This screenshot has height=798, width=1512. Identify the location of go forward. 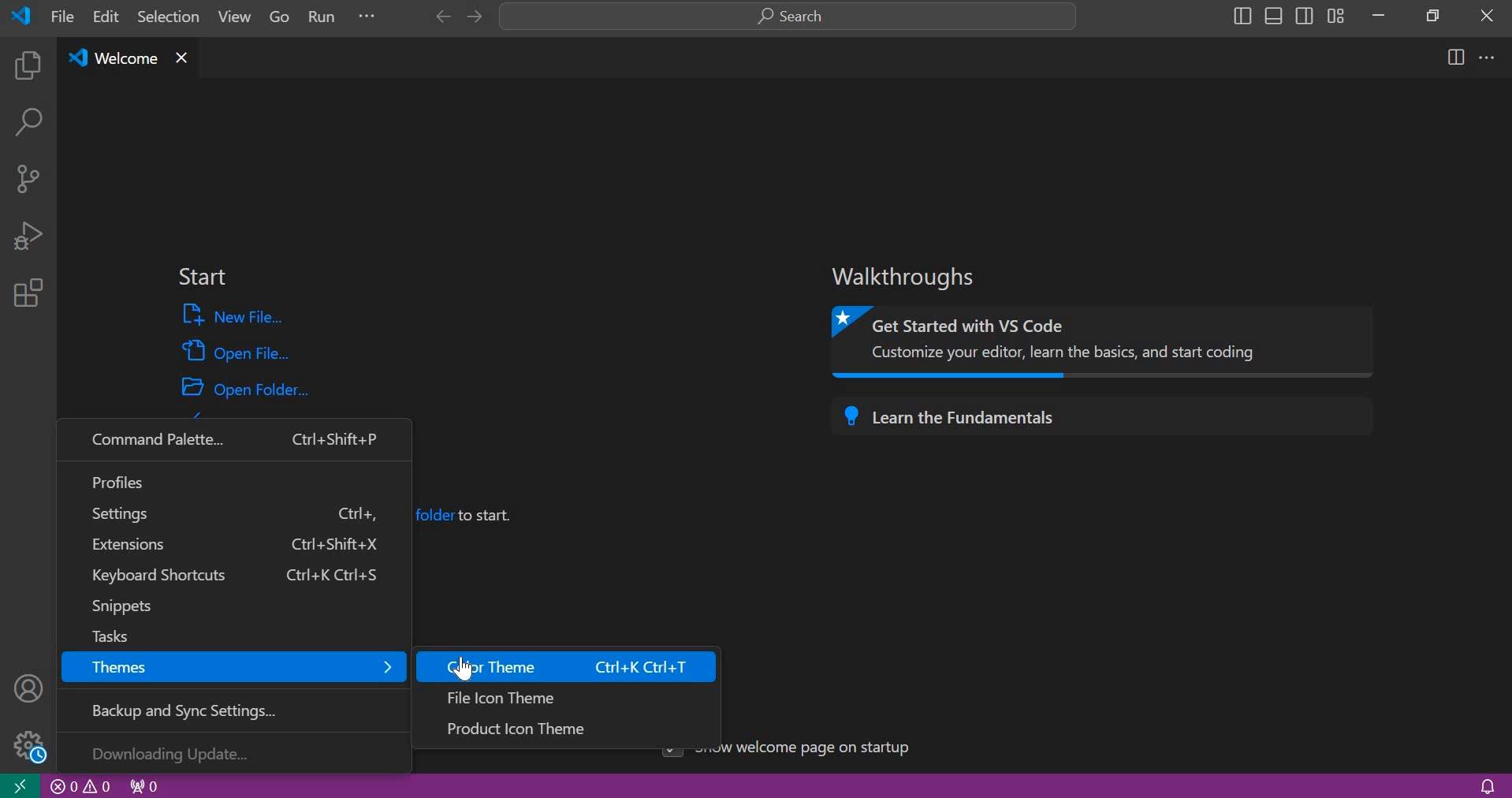
(439, 17).